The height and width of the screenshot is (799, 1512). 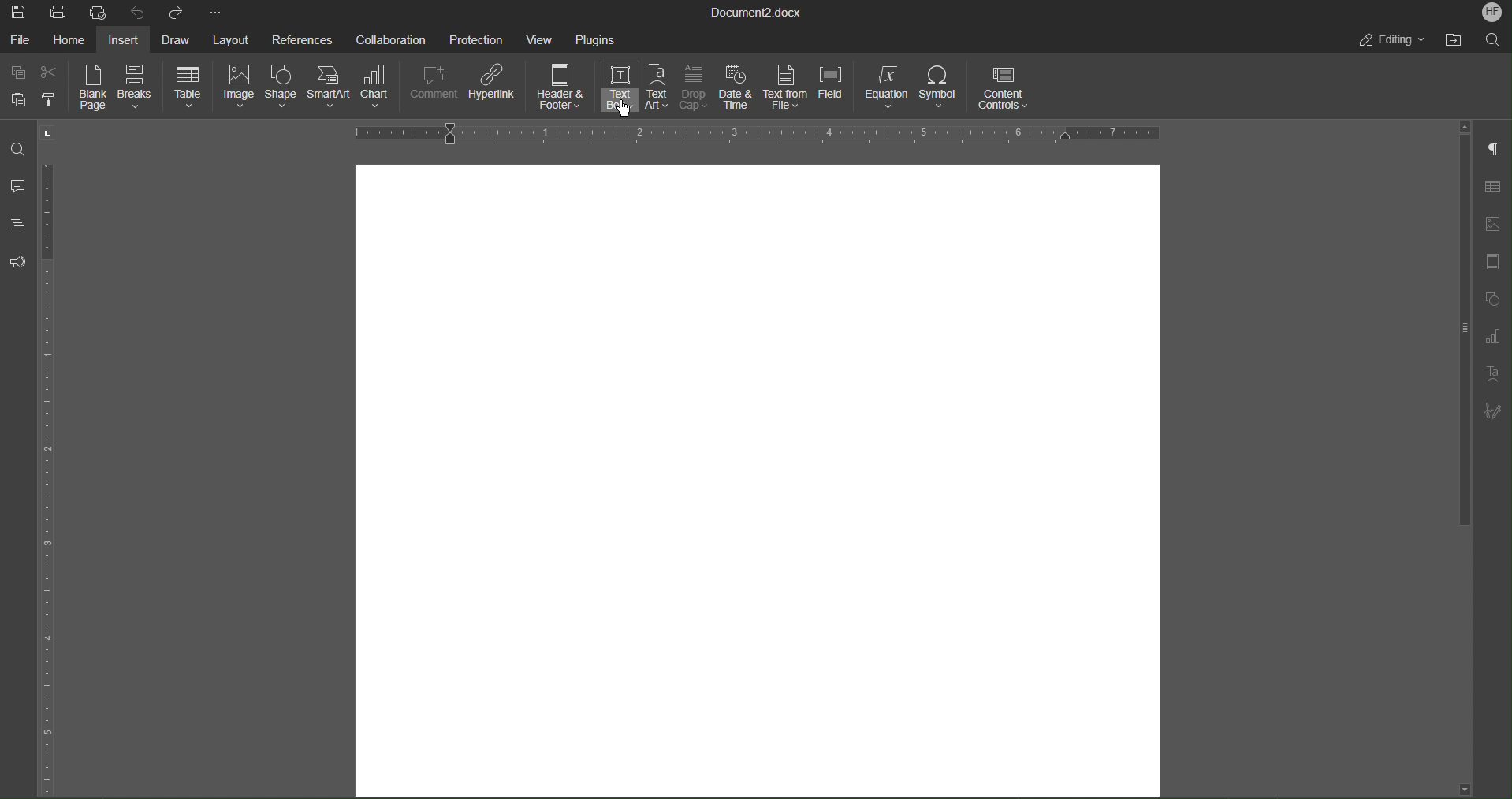 What do you see at coordinates (136, 12) in the screenshot?
I see `Undo` at bounding box center [136, 12].